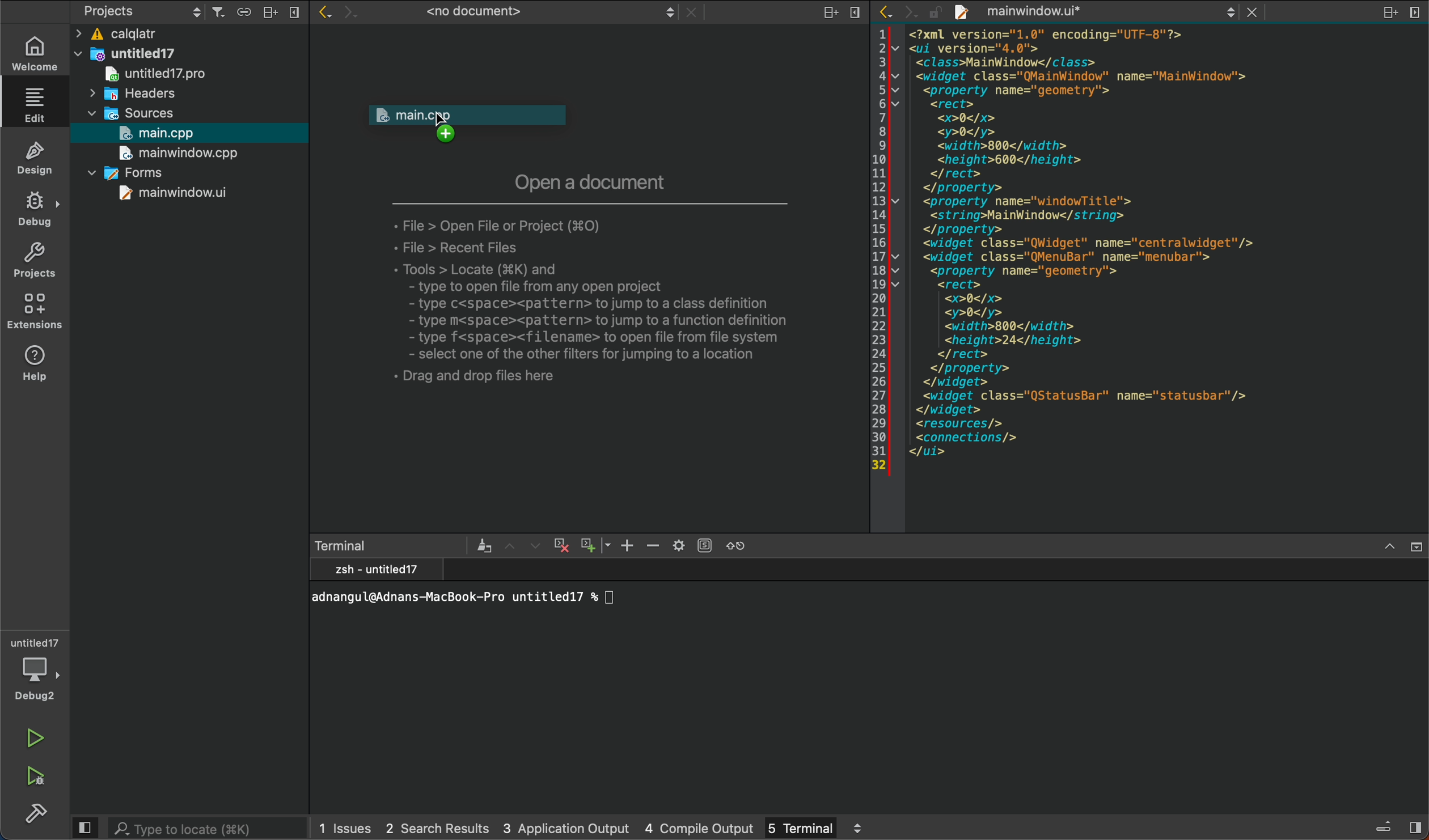 This screenshot has height=840, width=1429. I want to click on cross, so click(559, 546).